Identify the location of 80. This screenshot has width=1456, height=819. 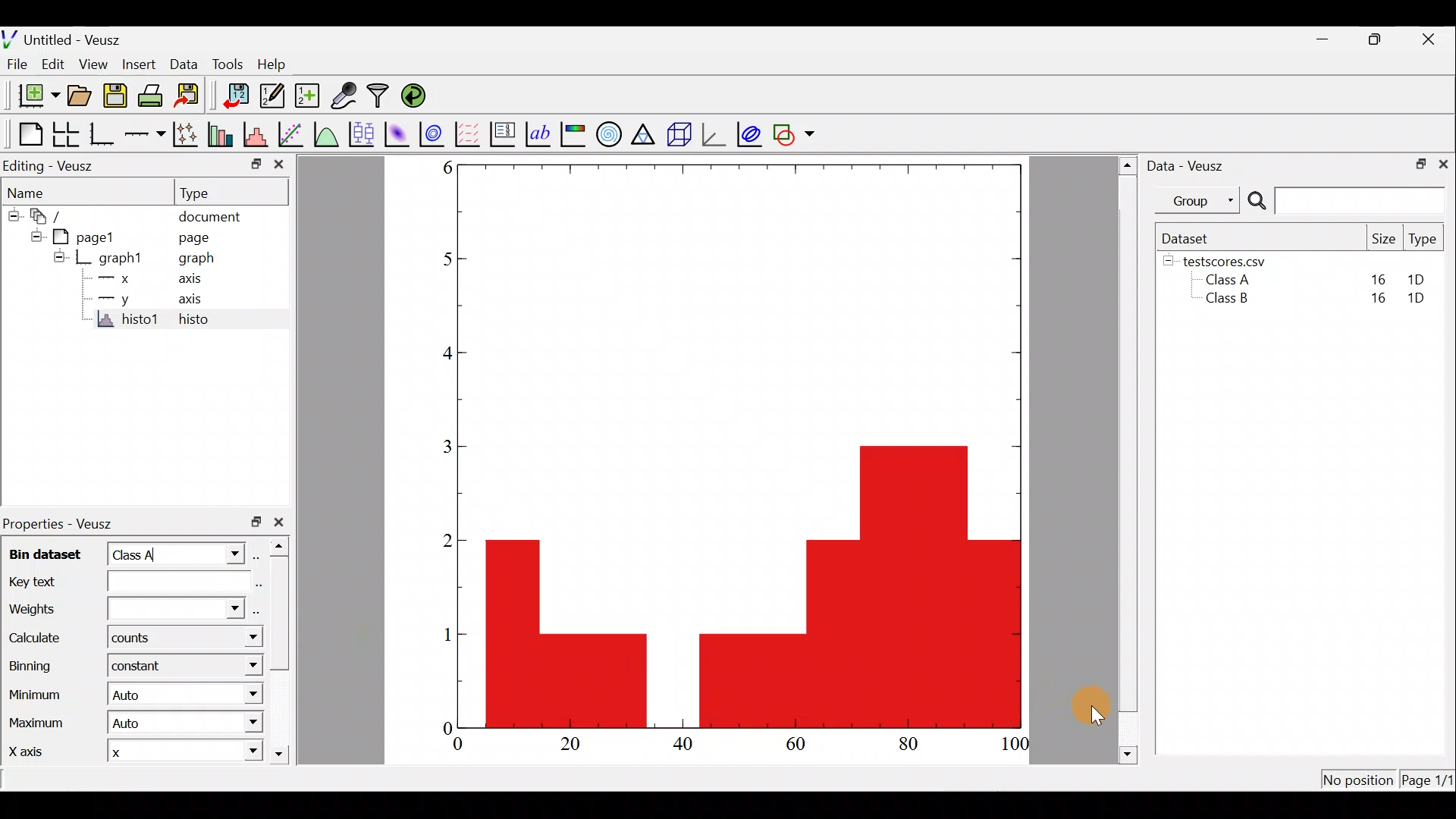
(908, 746).